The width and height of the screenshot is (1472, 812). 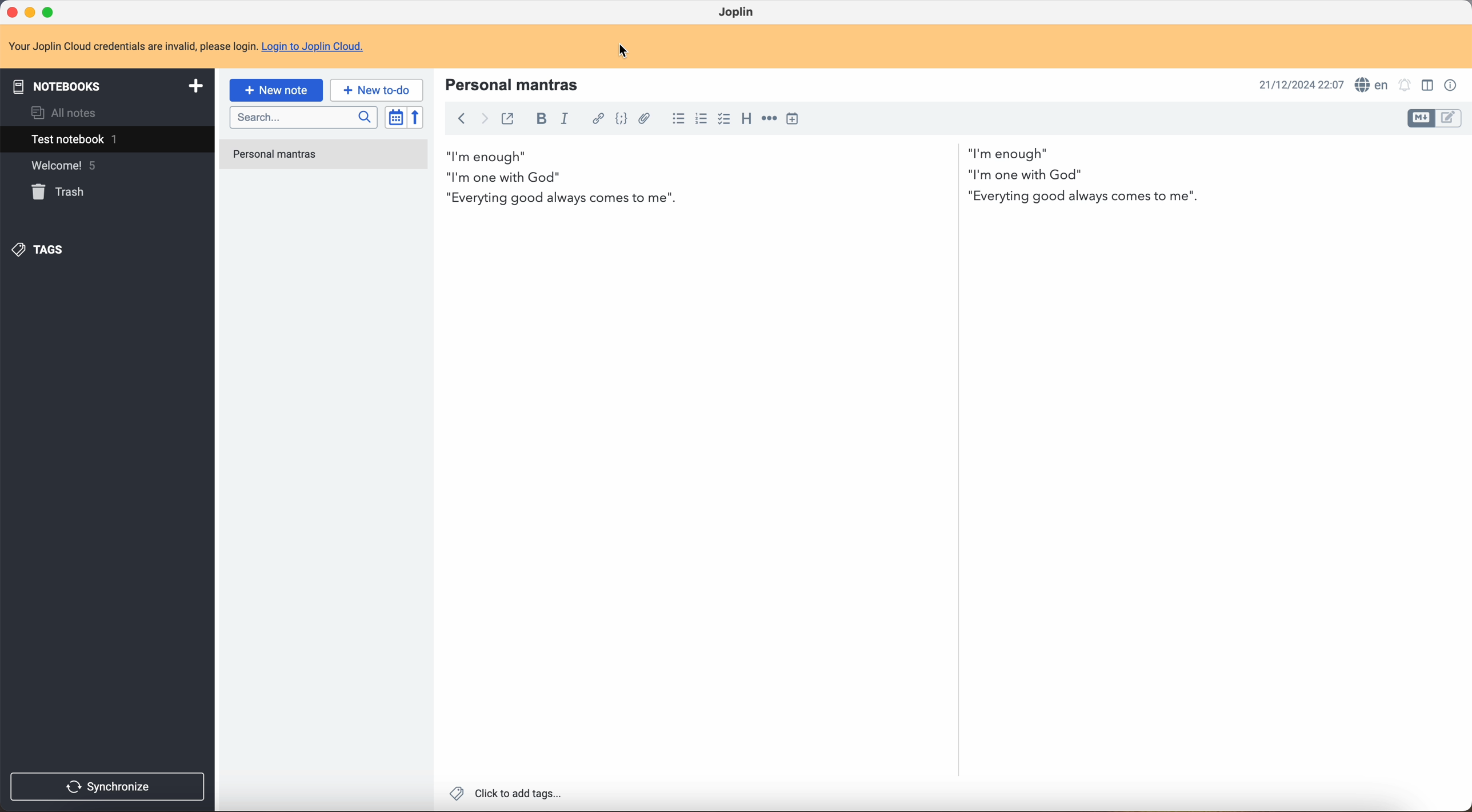 I want to click on note properties, so click(x=1455, y=85).